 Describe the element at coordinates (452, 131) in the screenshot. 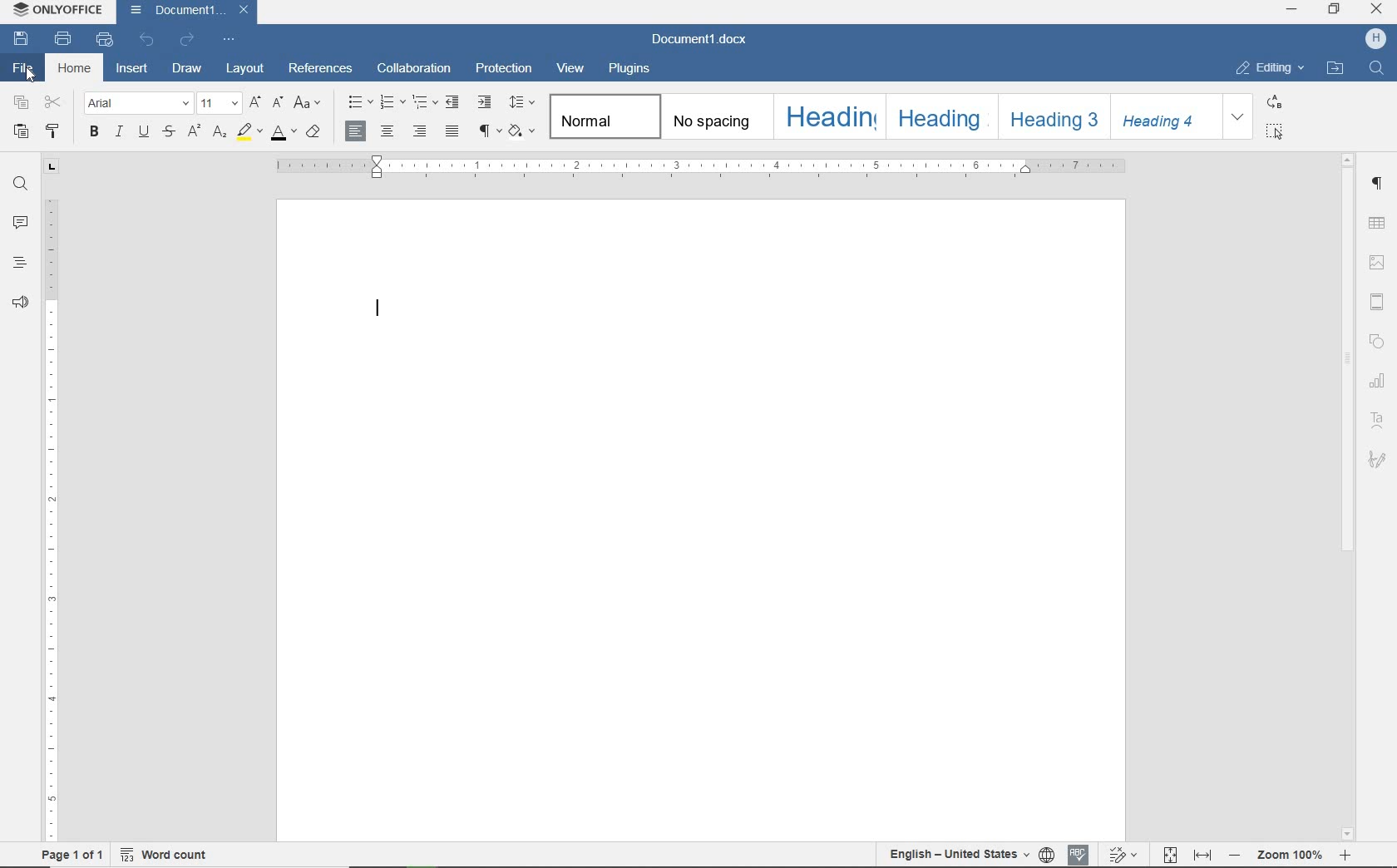

I see `justified` at that location.